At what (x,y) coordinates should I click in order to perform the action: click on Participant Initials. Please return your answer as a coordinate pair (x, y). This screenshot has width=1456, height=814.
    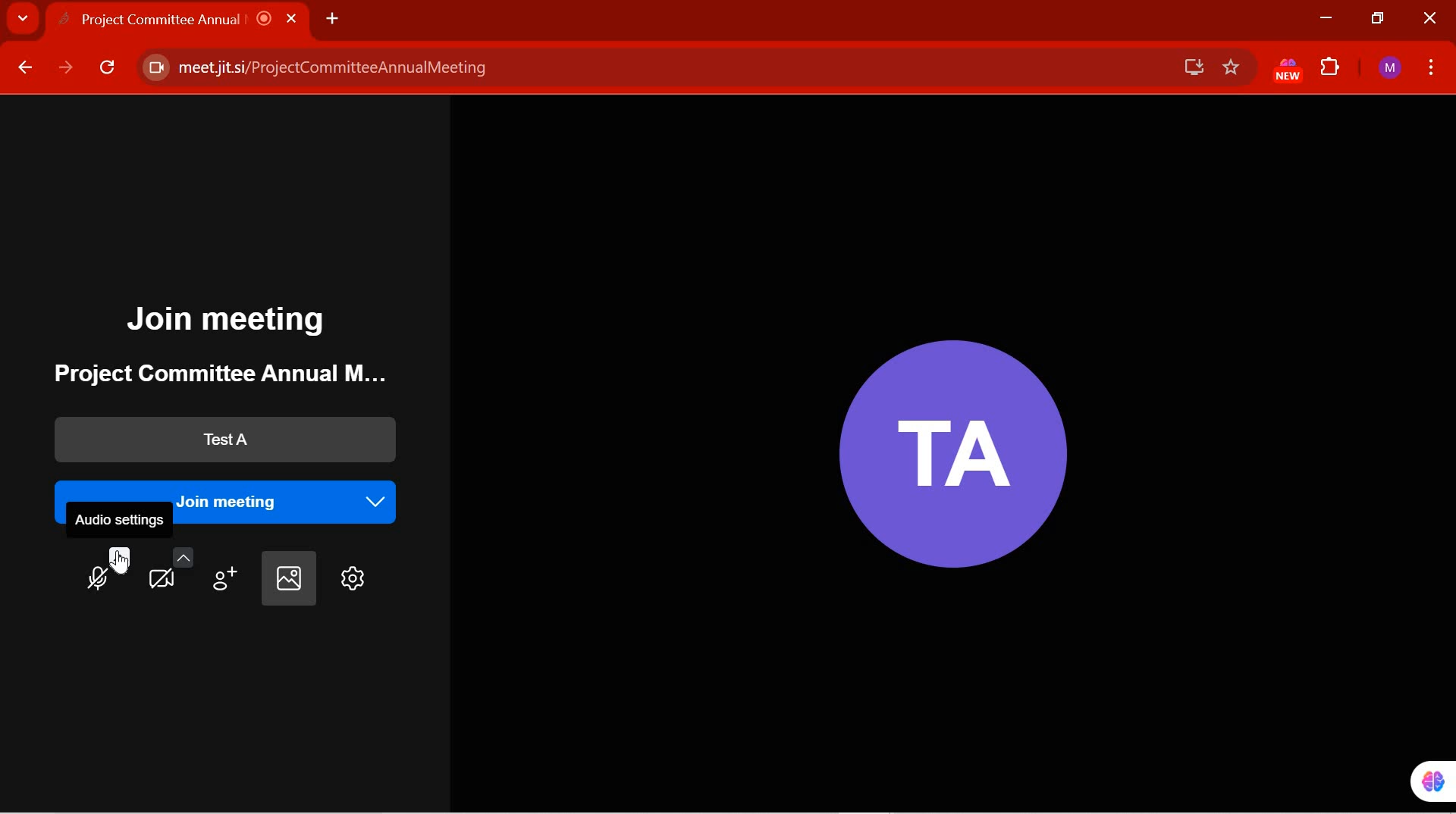
    Looking at the image, I should click on (945, 443).